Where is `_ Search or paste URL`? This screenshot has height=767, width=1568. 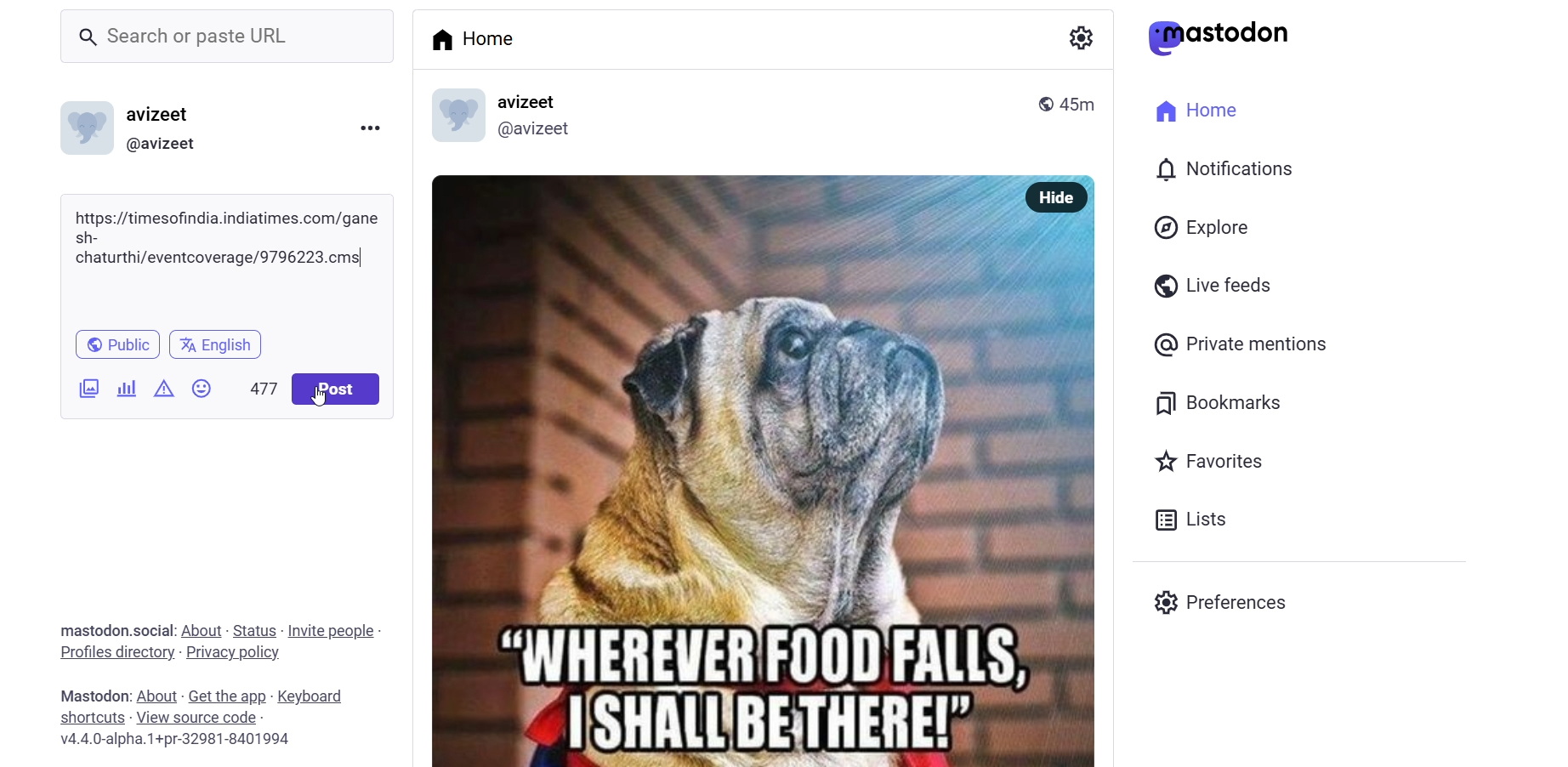 _ Search or paste URL is located at coordinates (203, 35).